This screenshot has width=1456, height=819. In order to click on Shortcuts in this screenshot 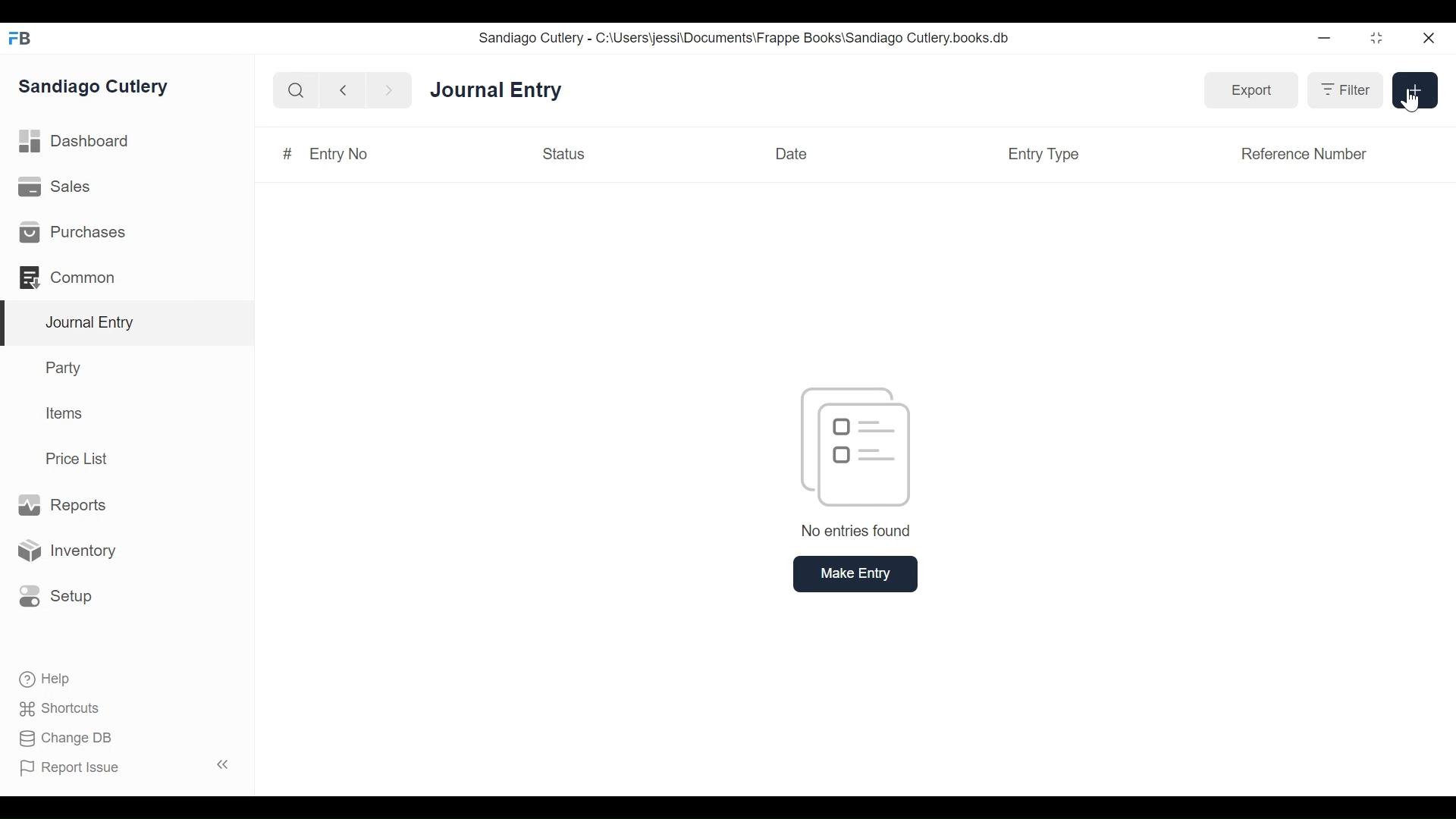, I will do `click(64, 708)`.